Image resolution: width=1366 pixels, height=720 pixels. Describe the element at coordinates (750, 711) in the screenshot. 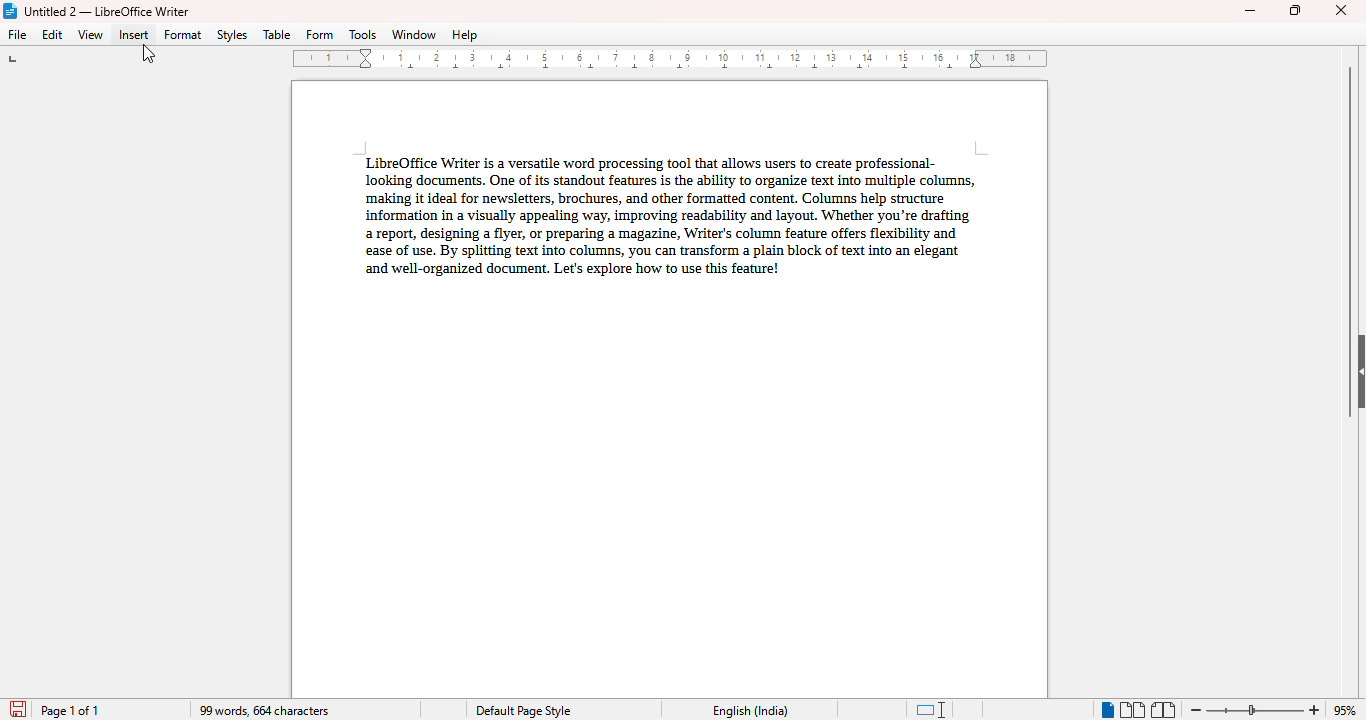

I see `English (India)` at that location.